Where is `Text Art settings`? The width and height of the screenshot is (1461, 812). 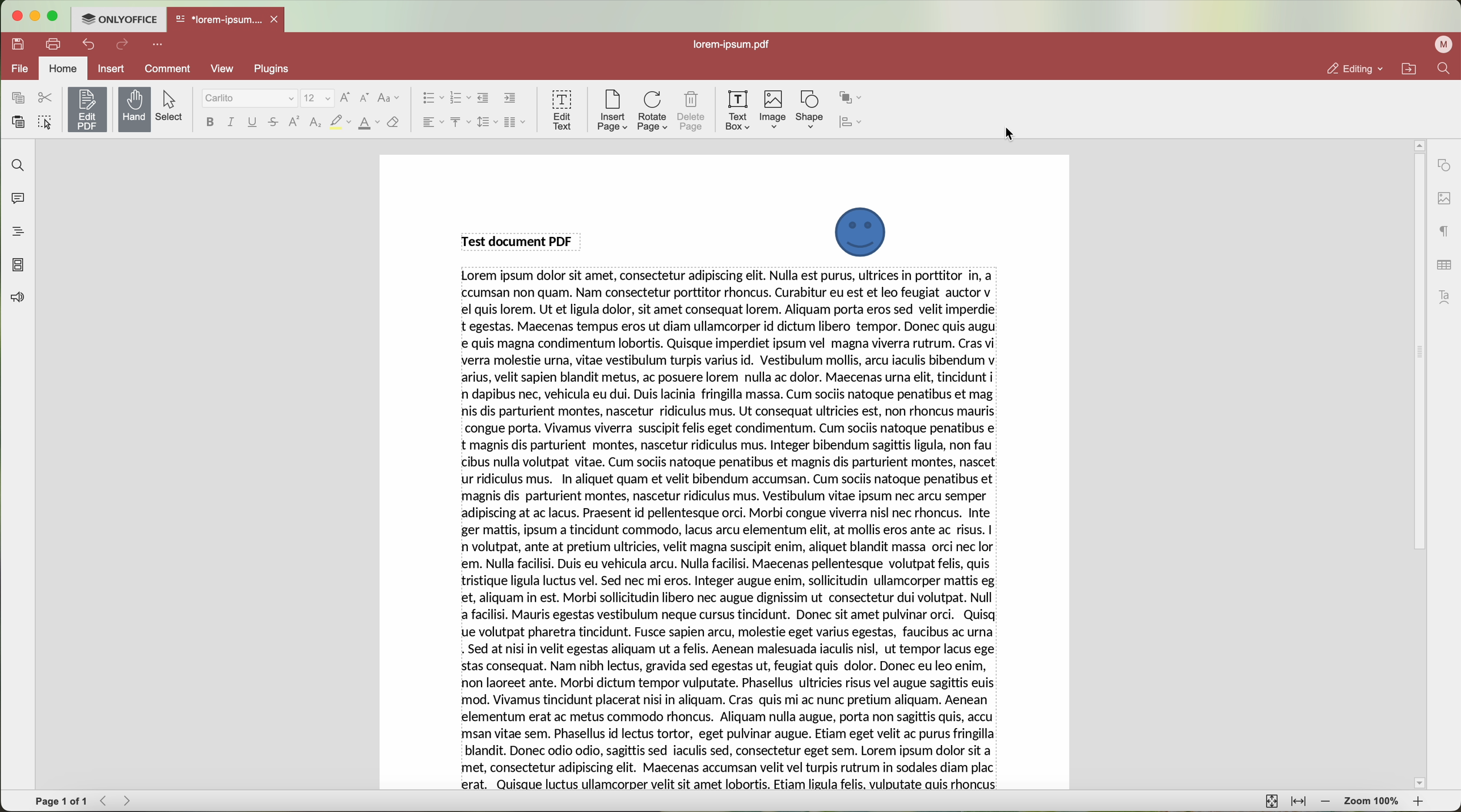
Text Art settings is located at coordinates (1446, 295).